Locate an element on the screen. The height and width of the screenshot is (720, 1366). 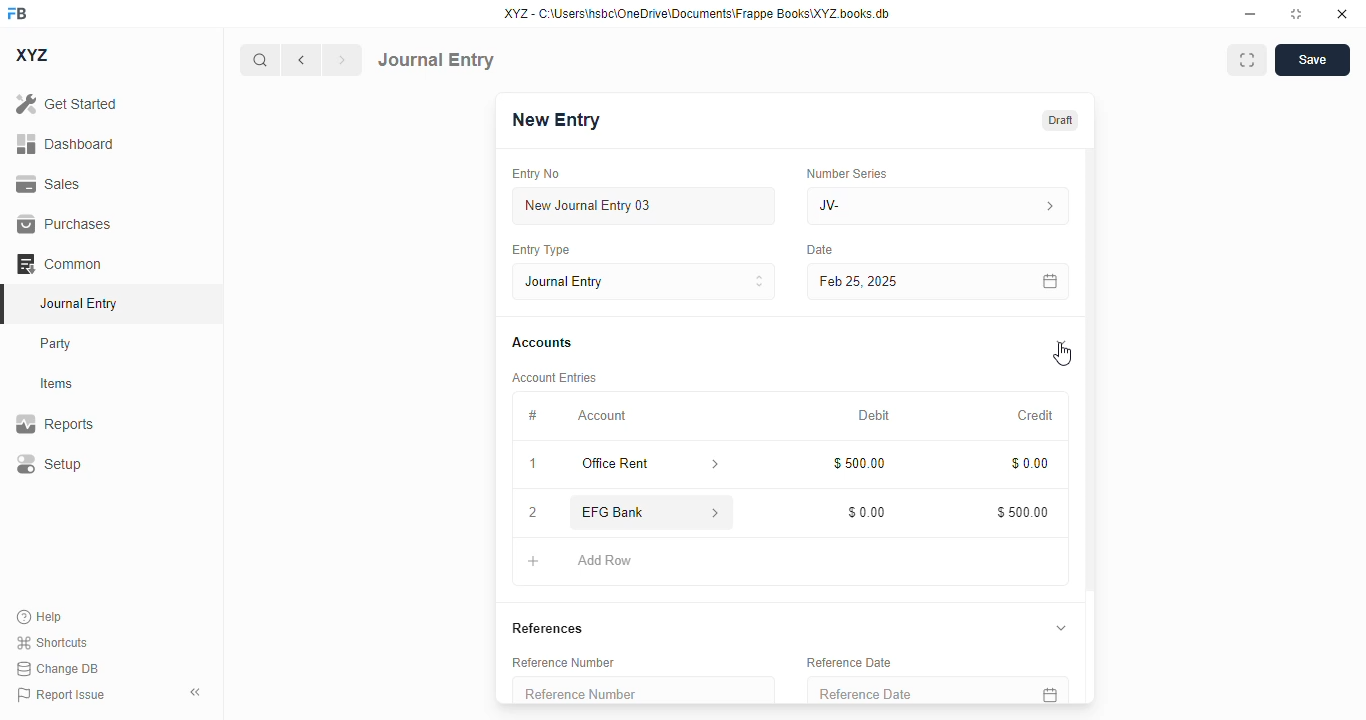
XYZ - C:\Users\hsbc\OneDrive\Documents\Frappe Books\XYZ books.db is located at coordinates (697, 13).